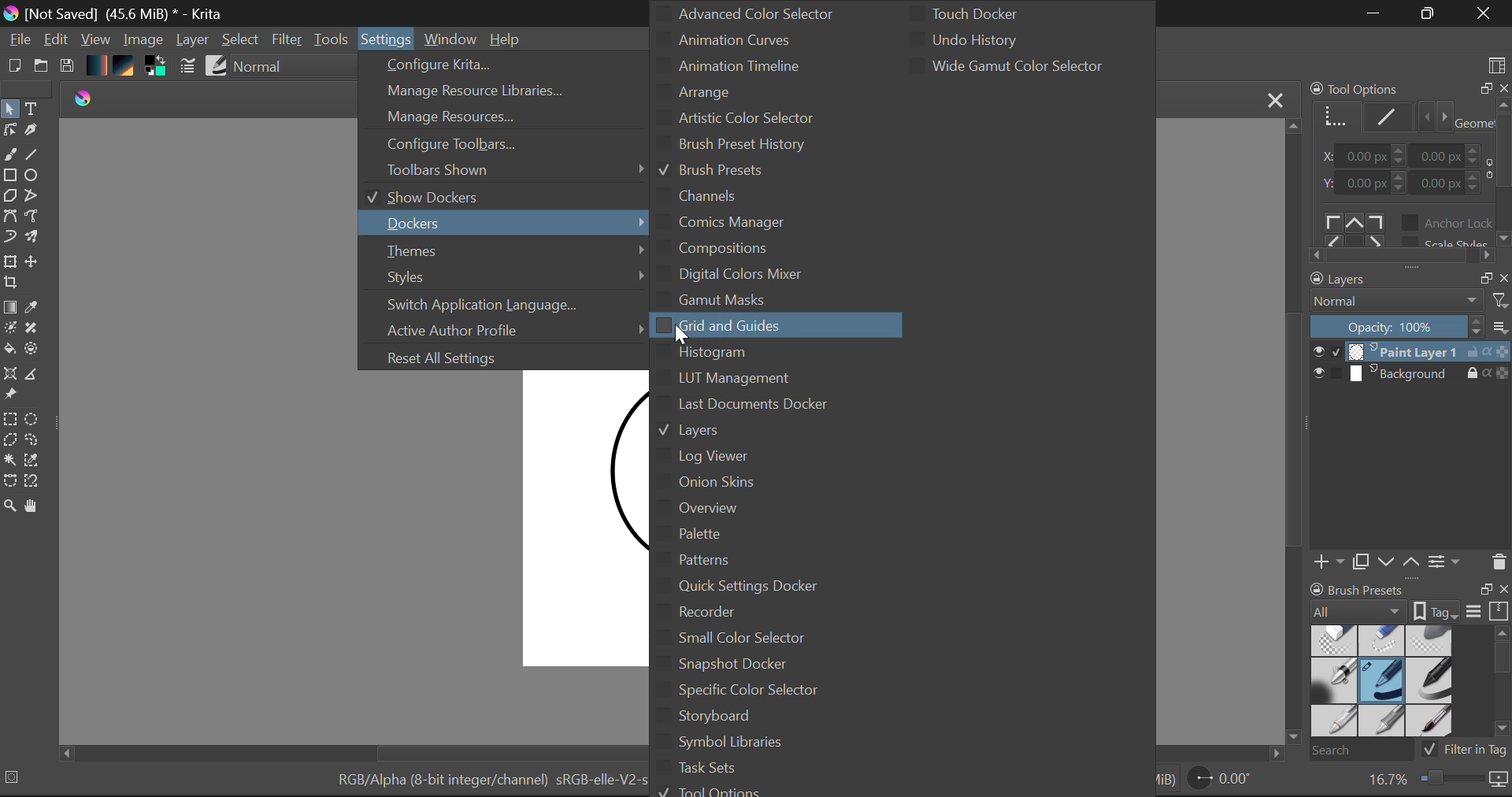 The width and height of the screenshot is (1512, 797). I want to click on Log Viewer, so click(736, 457).